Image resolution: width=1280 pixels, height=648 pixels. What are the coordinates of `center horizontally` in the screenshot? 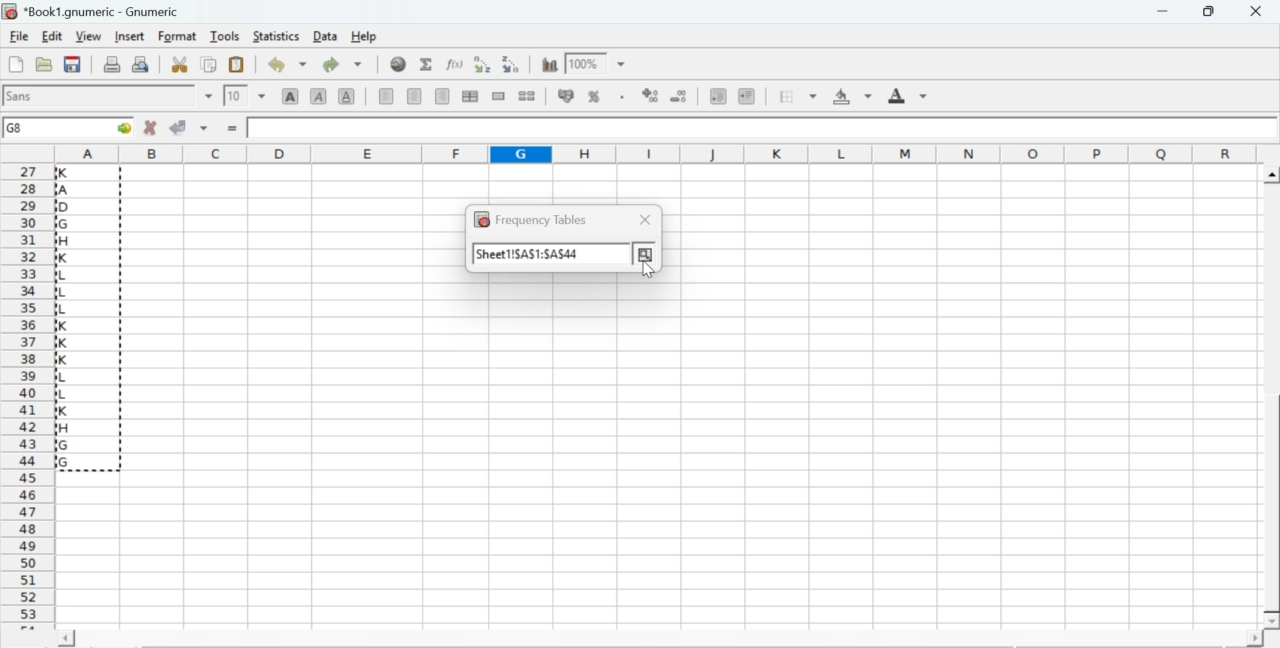 It's located at (470, 96).